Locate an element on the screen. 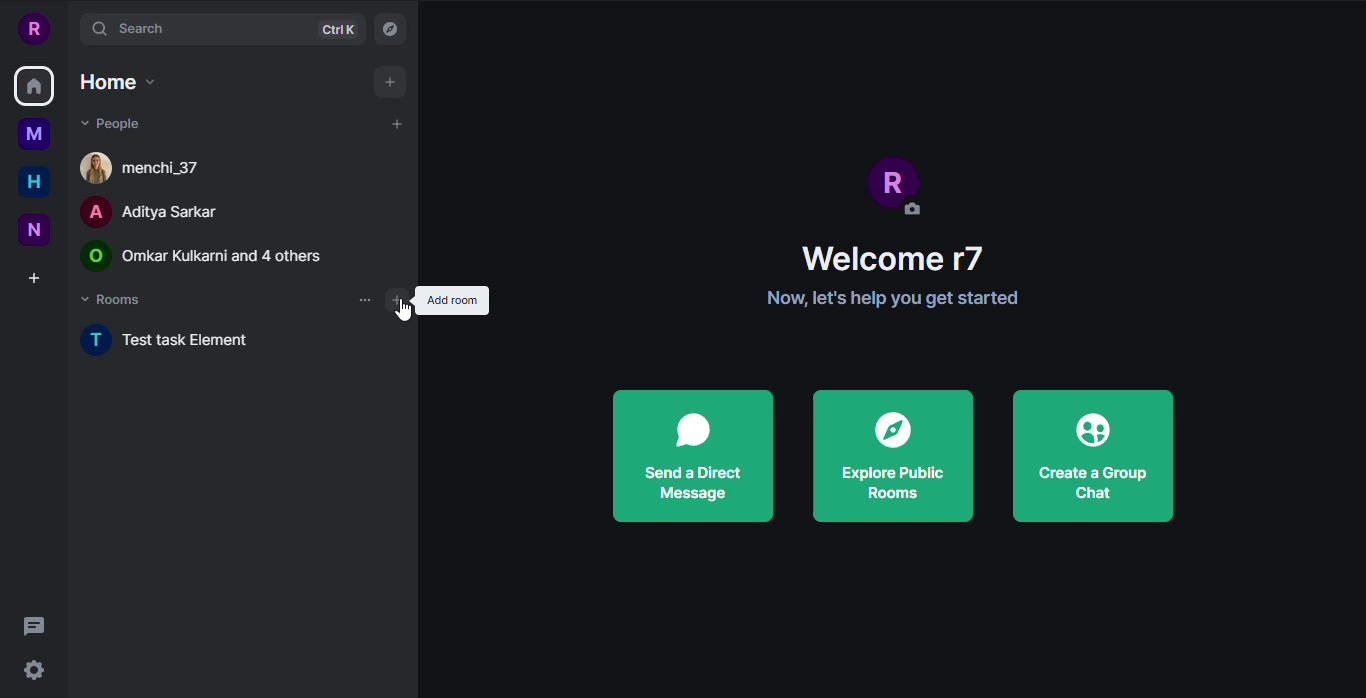  search is located at coordinates (132, 28).